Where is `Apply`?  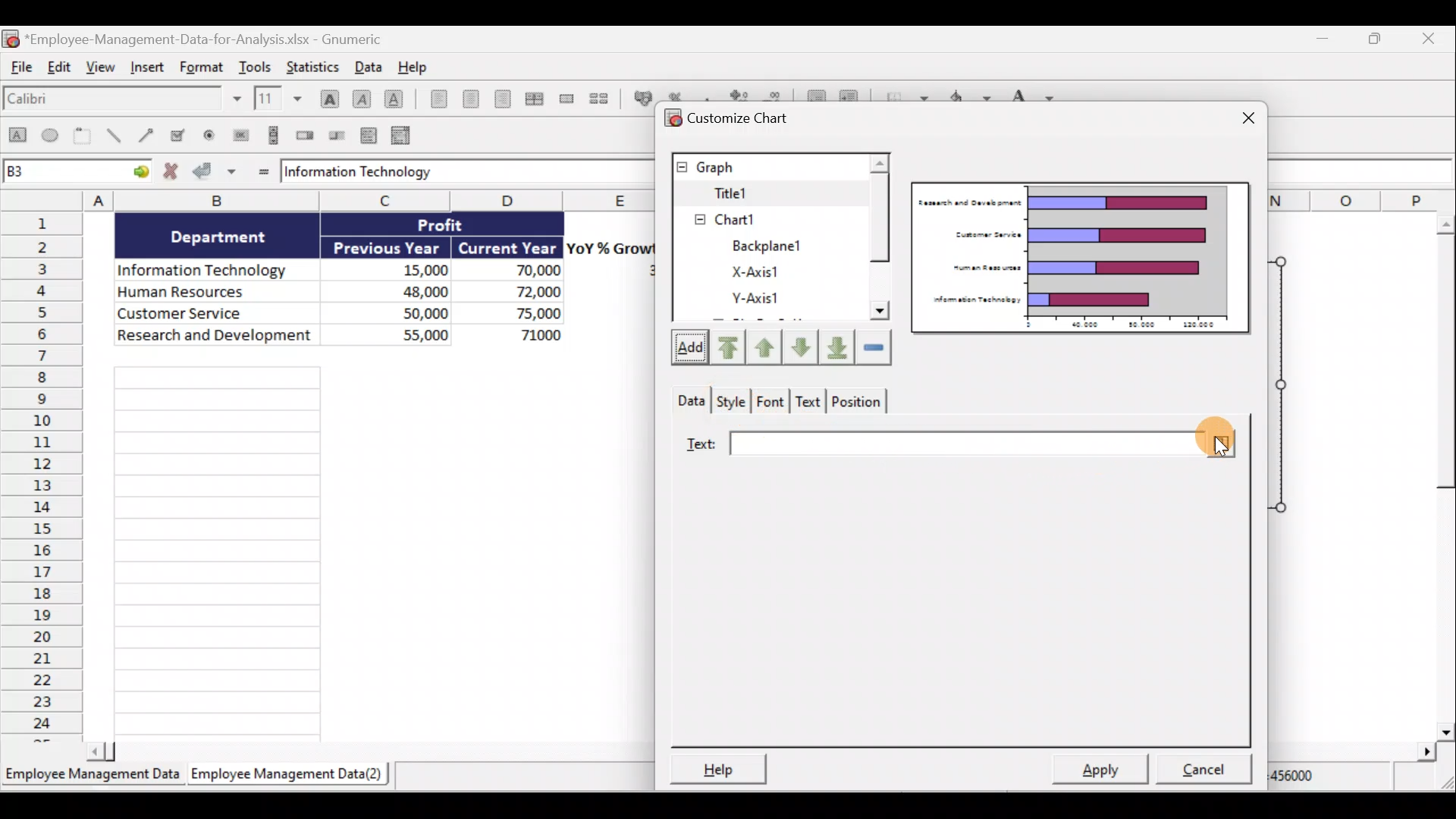
Apply is located at coordinates (1099, 771).